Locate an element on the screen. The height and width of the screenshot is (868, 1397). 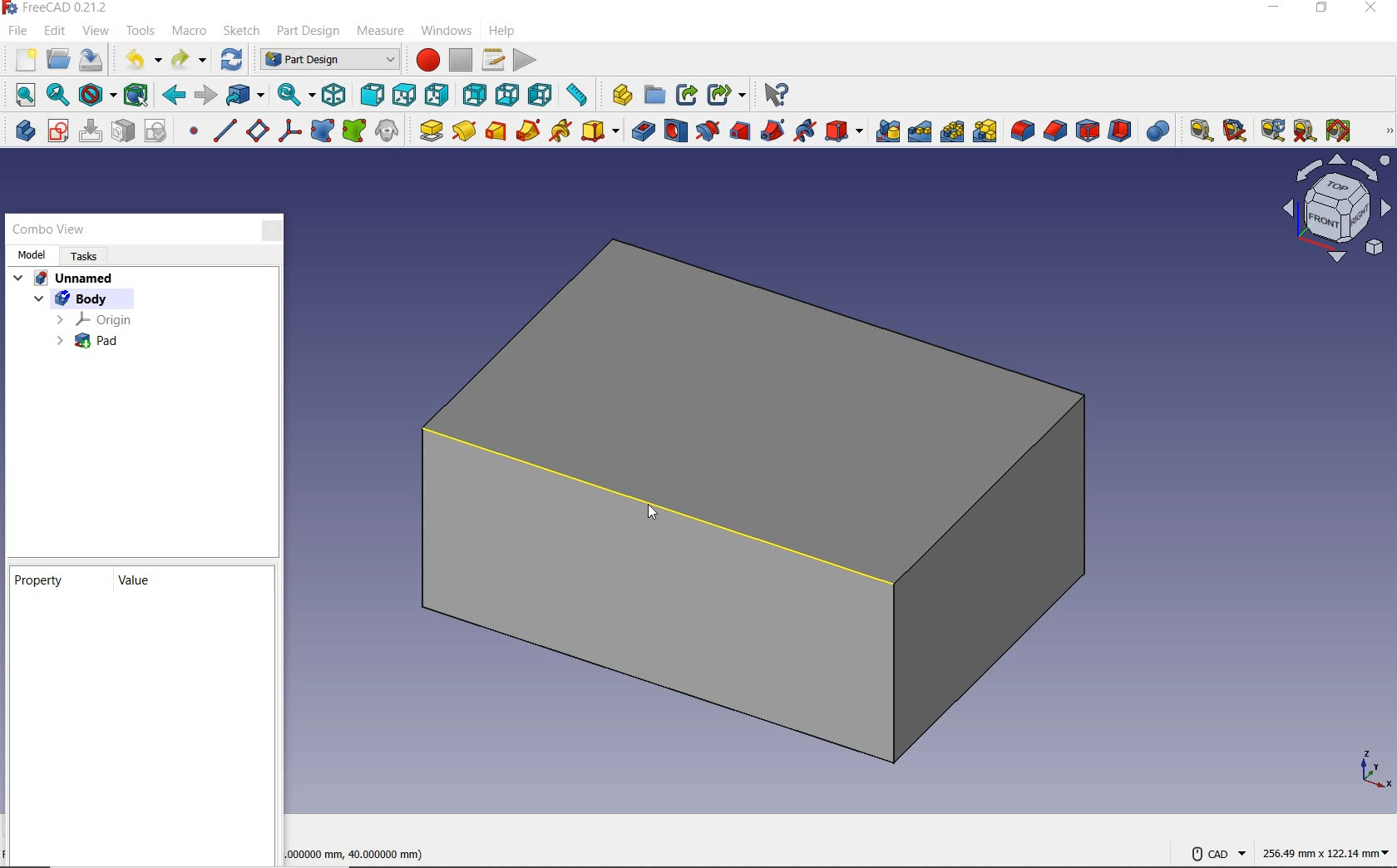
create a subtractive primitive is located at coordinates (845, 130).